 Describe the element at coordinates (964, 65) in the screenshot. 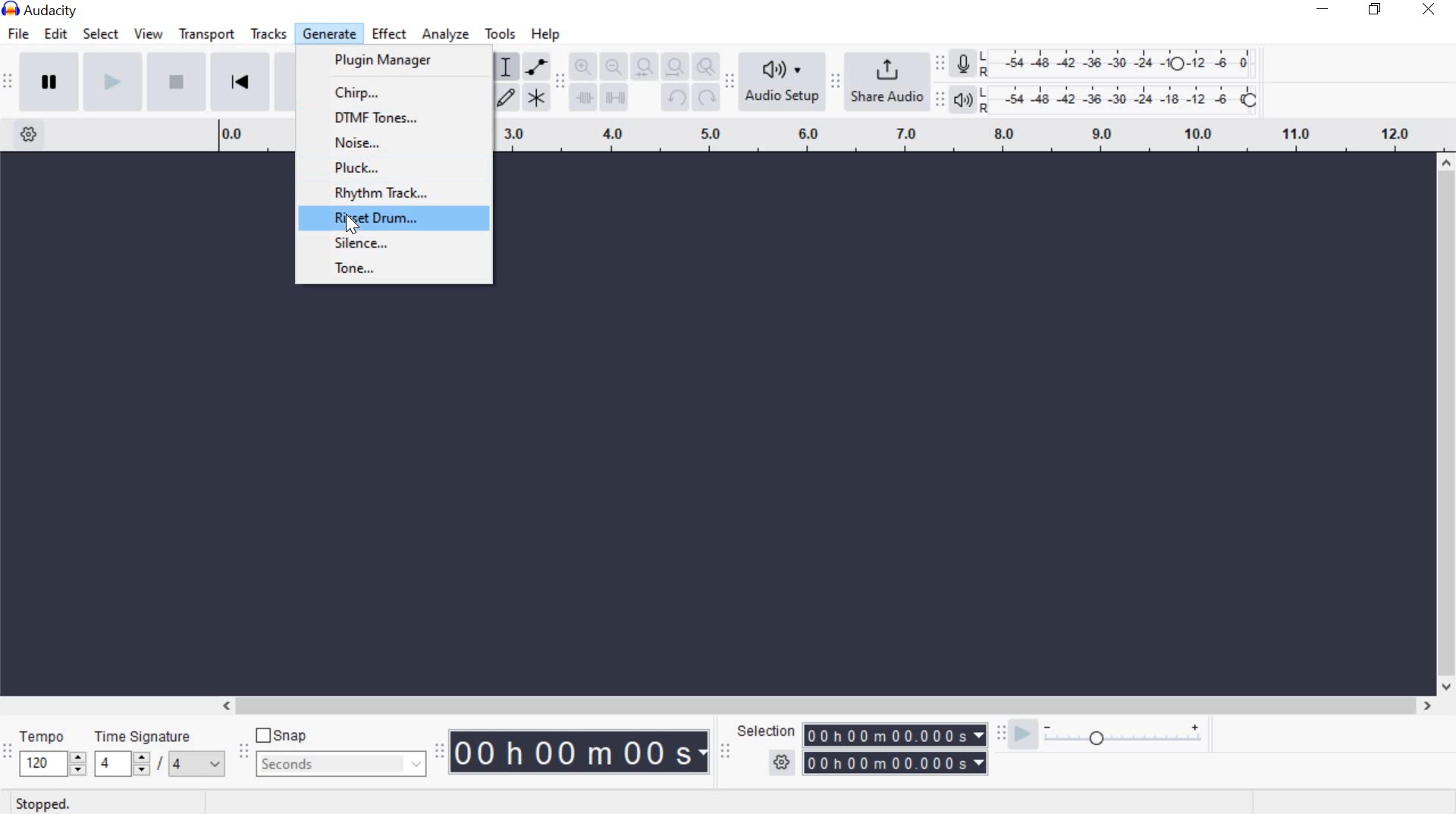

I see `Record Meter` at that location.